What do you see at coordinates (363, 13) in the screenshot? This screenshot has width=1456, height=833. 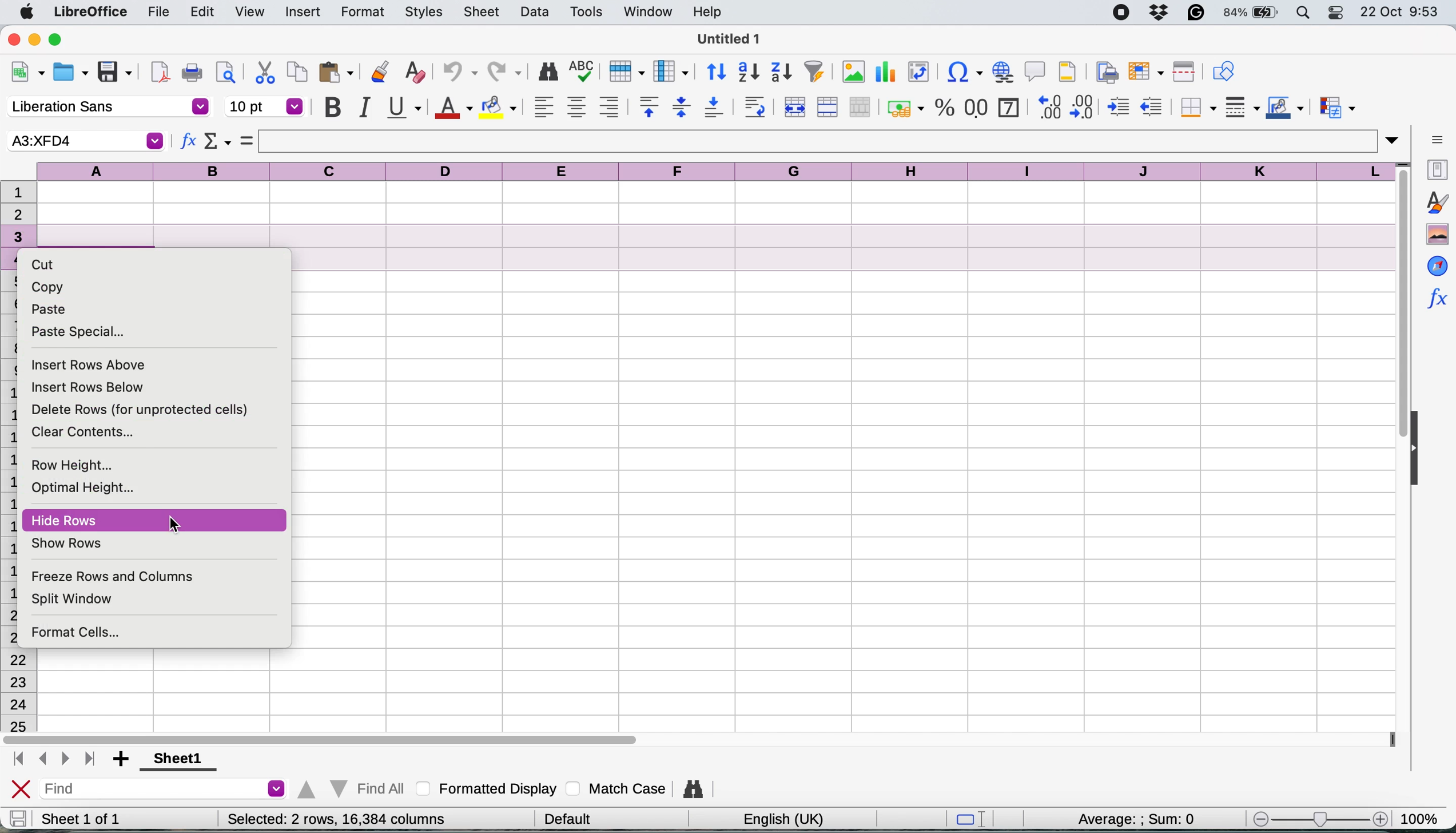 I see `format` at bounding box center [363, 13].